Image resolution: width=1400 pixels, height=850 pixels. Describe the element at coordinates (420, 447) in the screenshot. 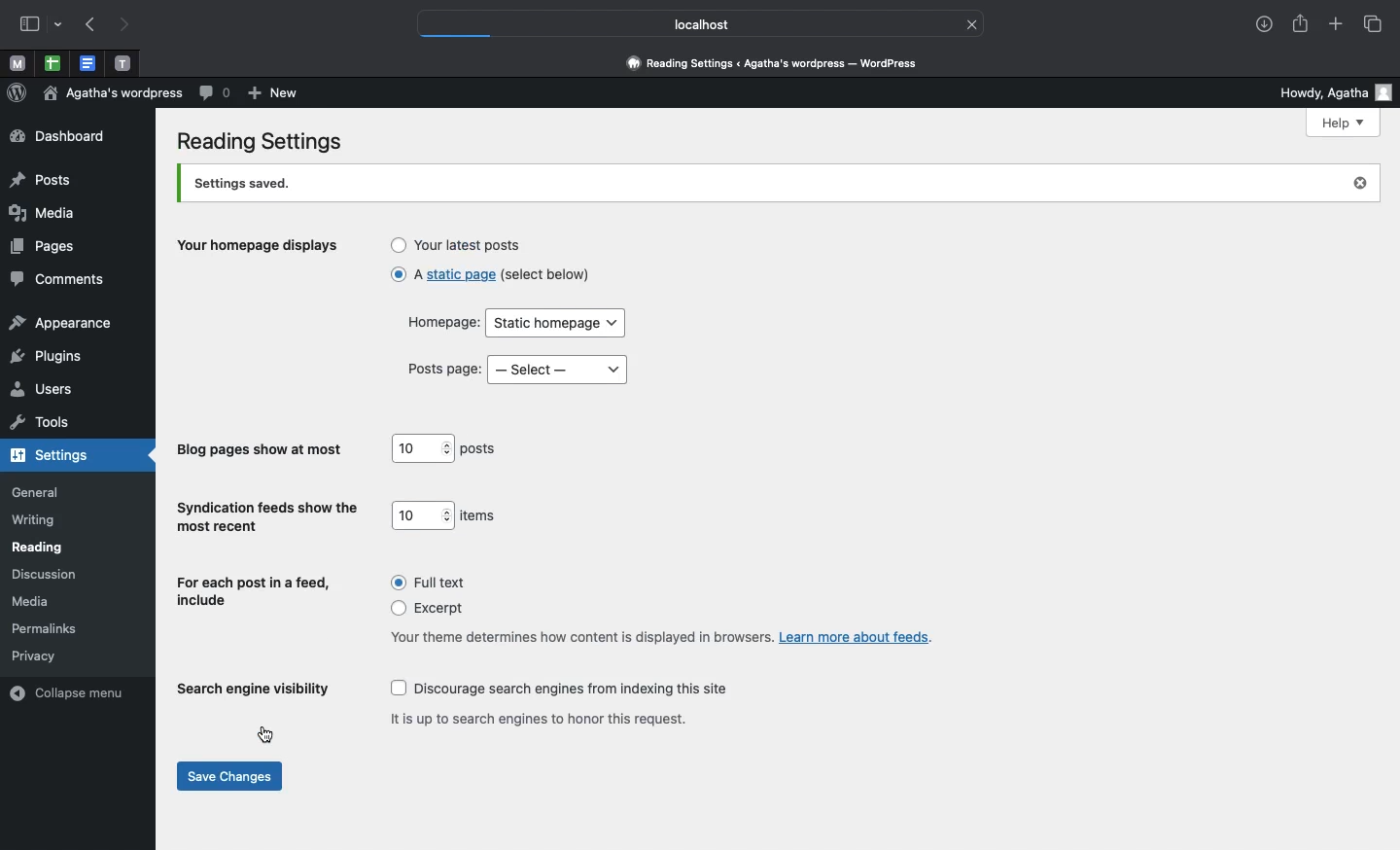

I see `10` at that location.